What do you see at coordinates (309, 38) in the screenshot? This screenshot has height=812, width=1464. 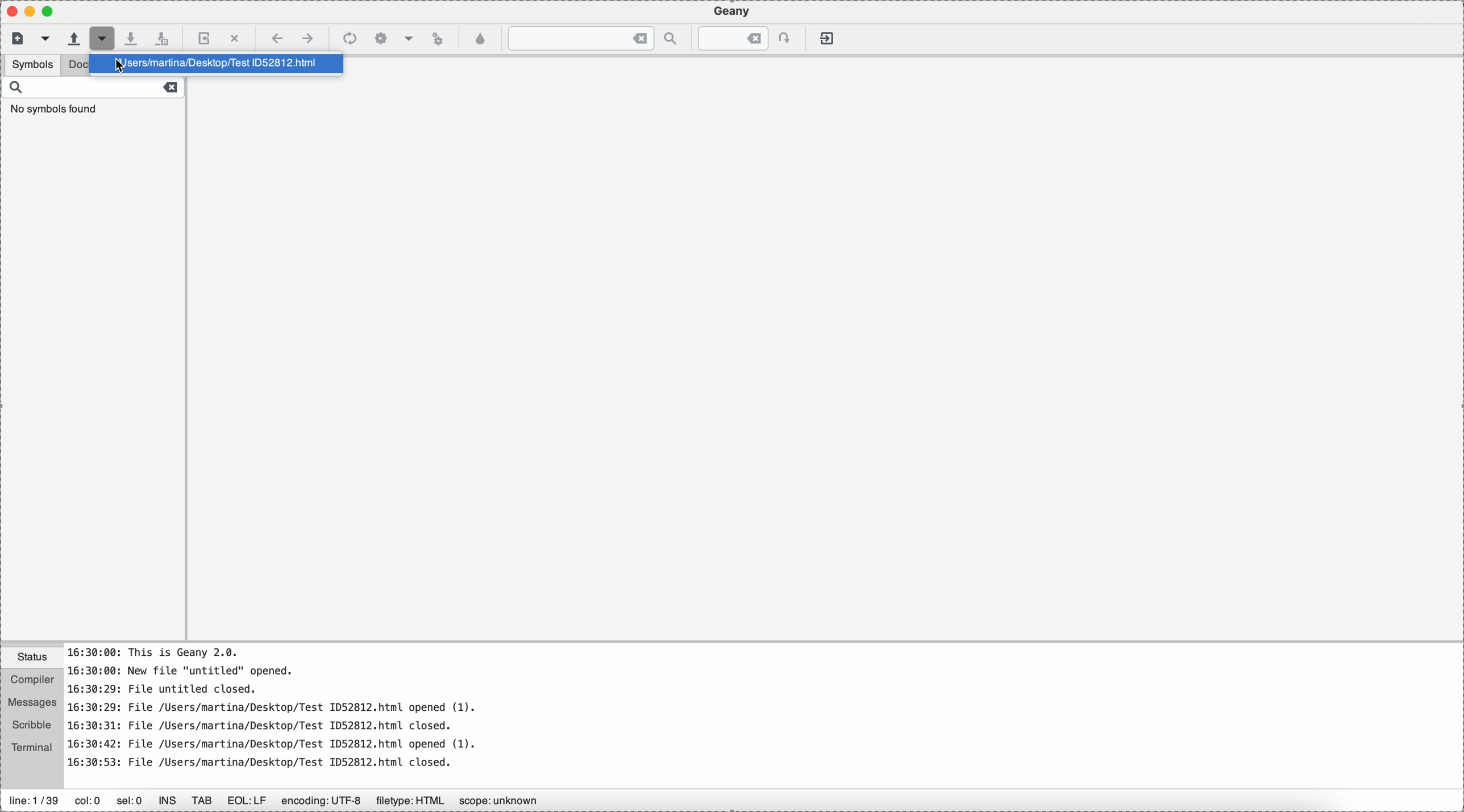 I see `navigate foward` at bounding box center [309, 38].